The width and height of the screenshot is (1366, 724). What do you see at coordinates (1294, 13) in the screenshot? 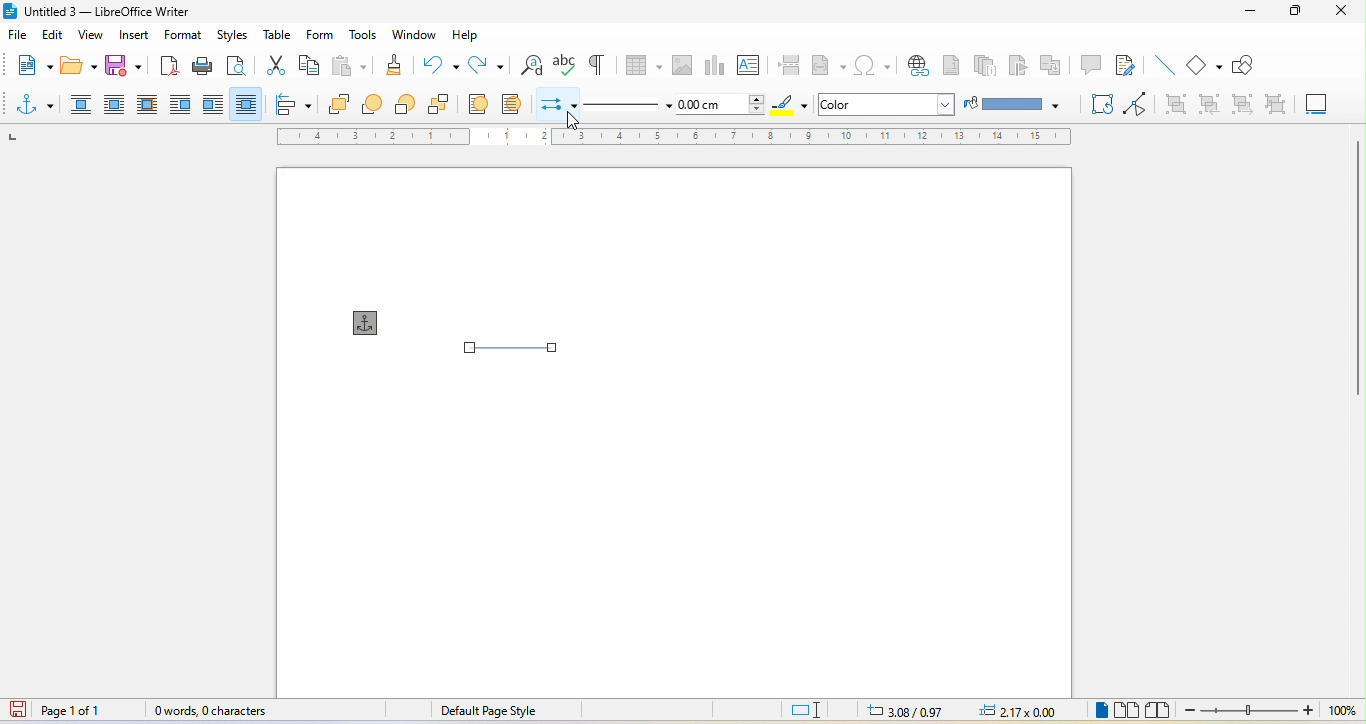
I see `maximize` at bounding box center [1294, 13].